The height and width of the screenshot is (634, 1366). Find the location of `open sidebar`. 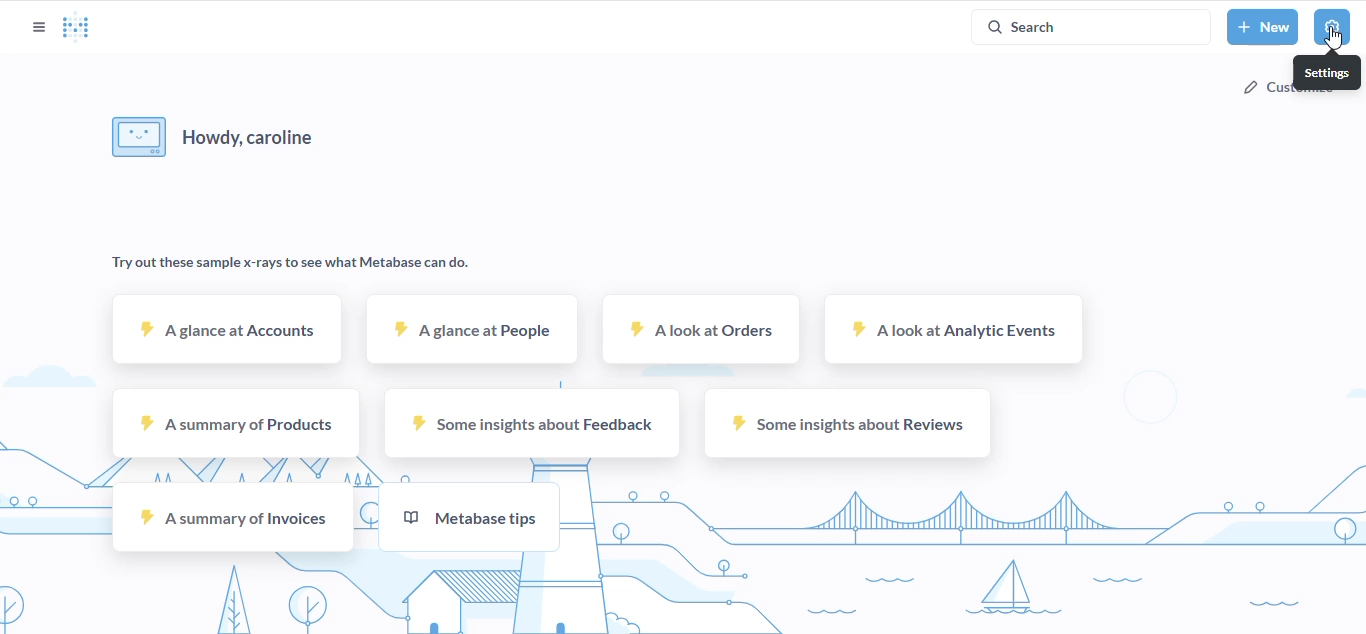

open sidebar is located at coordinates (38, 27).